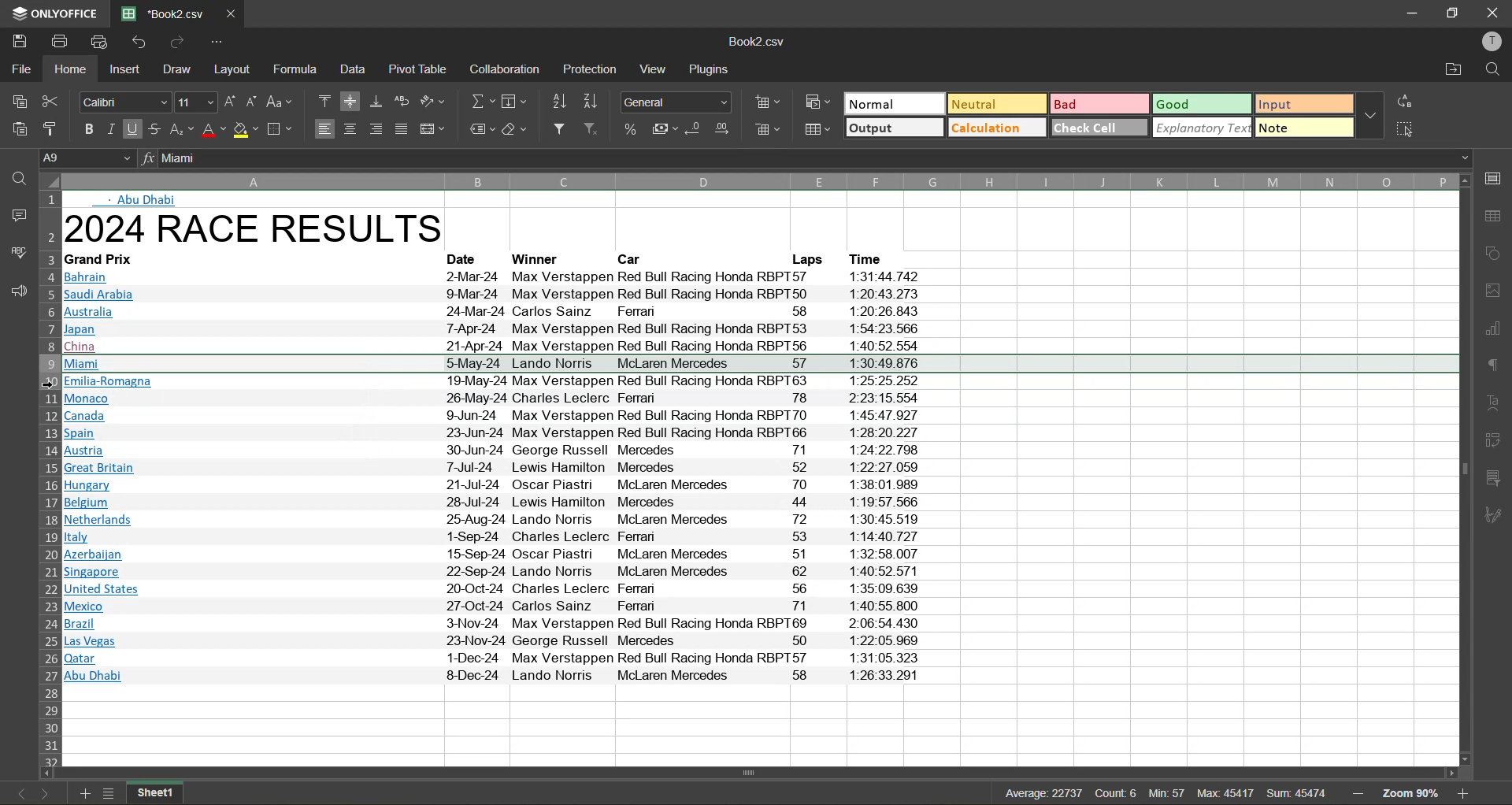  Describe the element at coordinates (1498, 517) in the screenshot. I see `signature` at that location.